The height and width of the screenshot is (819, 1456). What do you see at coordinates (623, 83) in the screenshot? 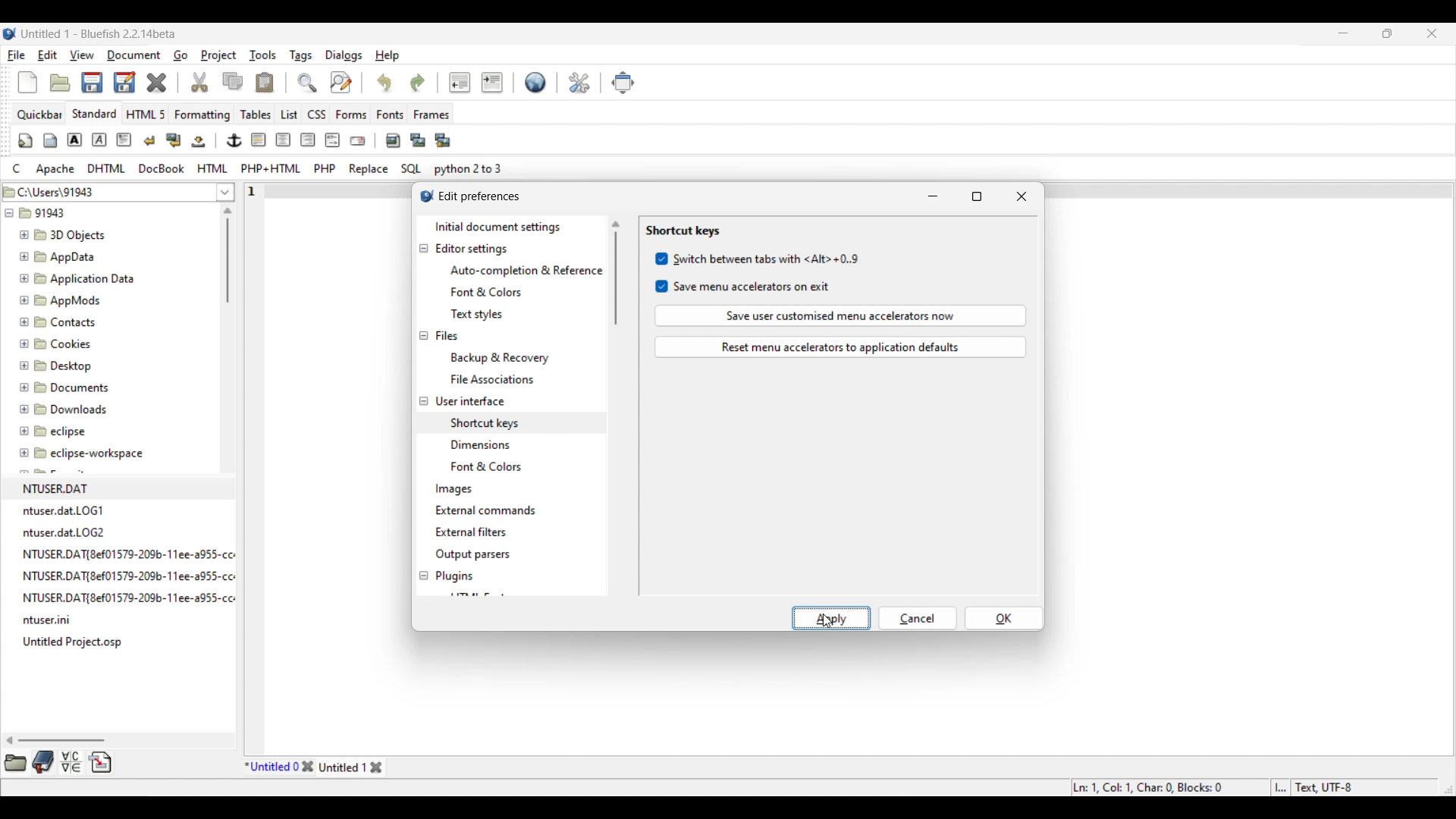
I see `Move` at bounding box center [623, 83].